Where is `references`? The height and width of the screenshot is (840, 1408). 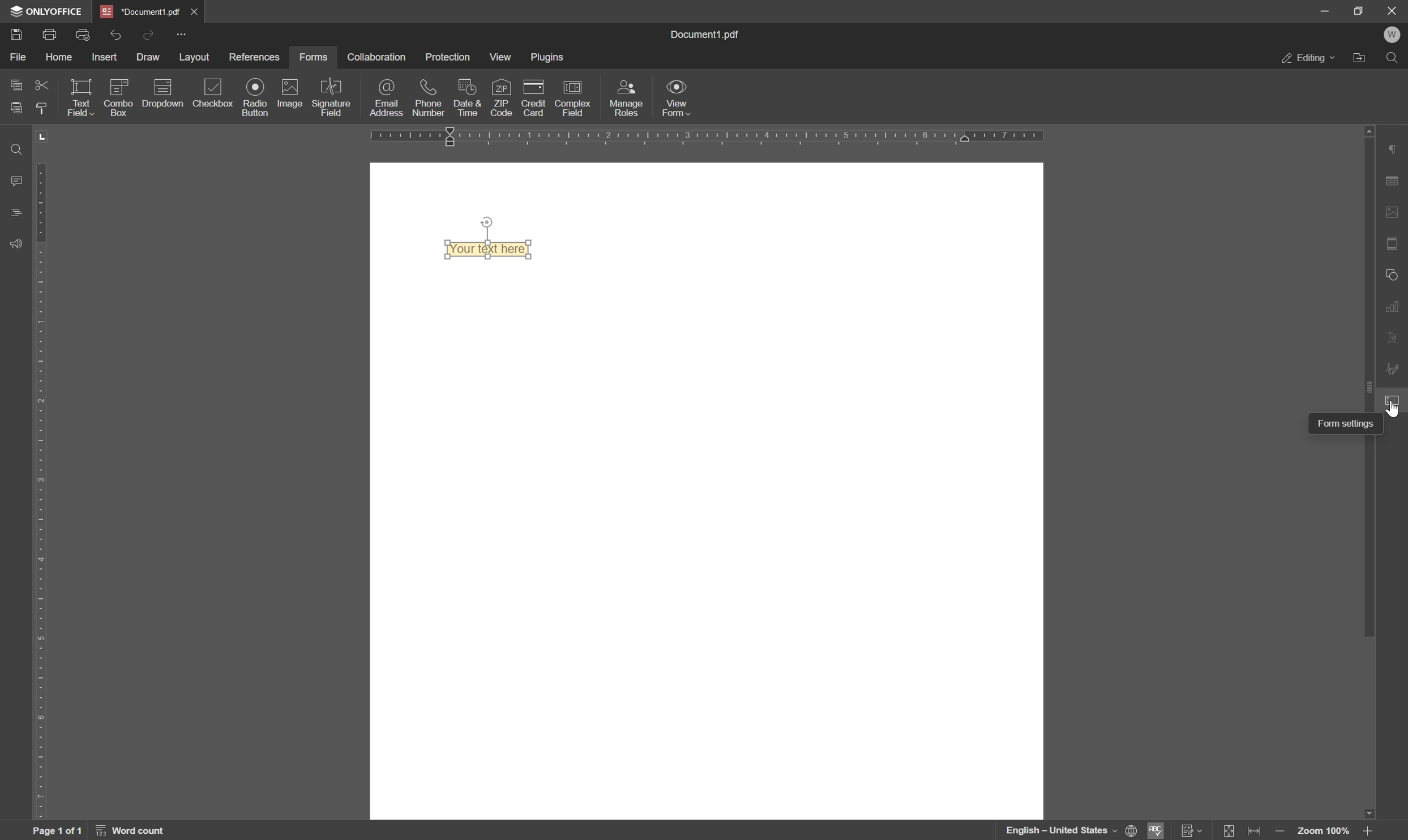
references is located at coordinates (255, 57).